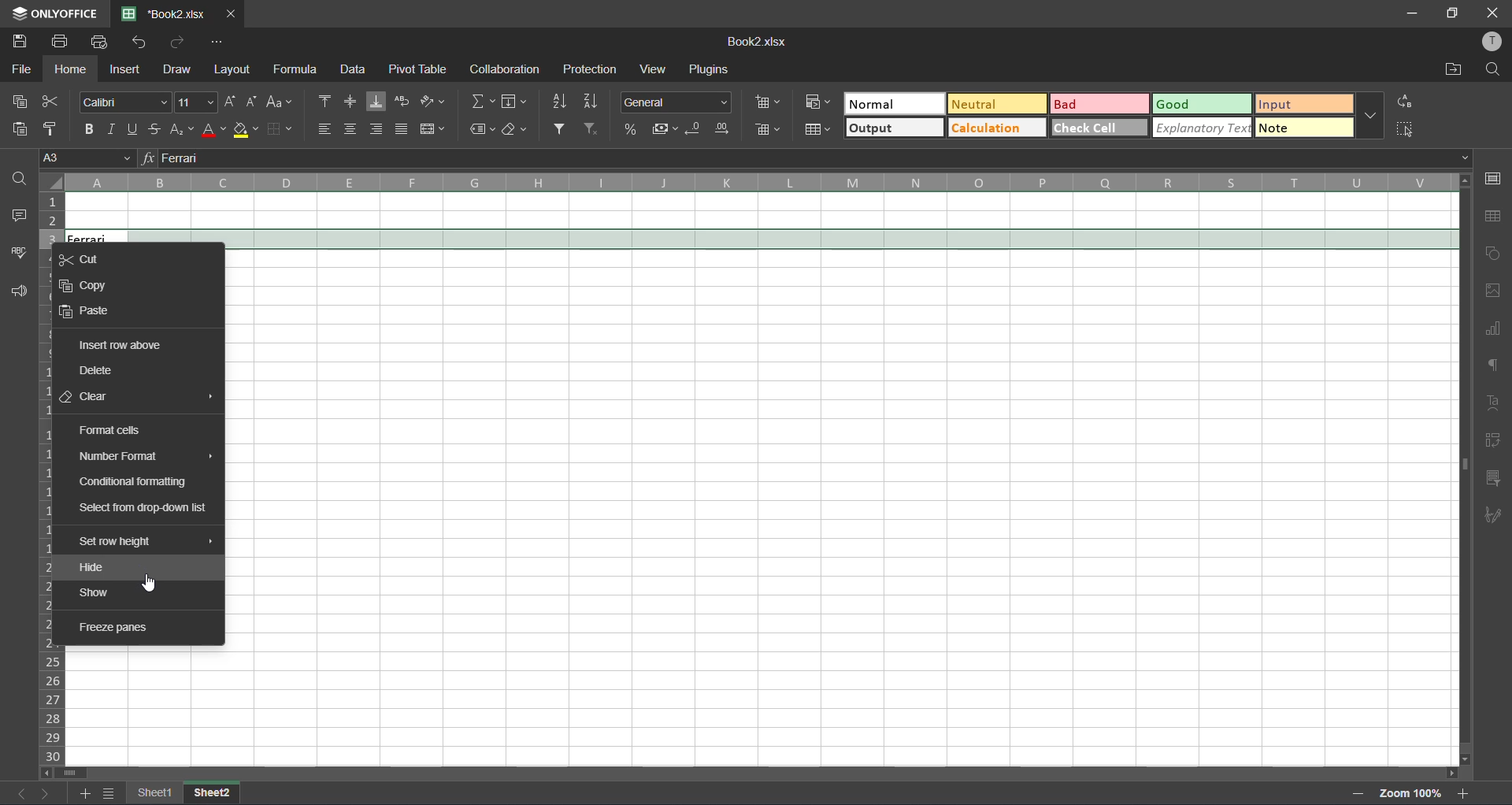  What do you see at coordinates (110, 793) in the screenshot?
I see `sheet list` at bounding box center [110, 793].